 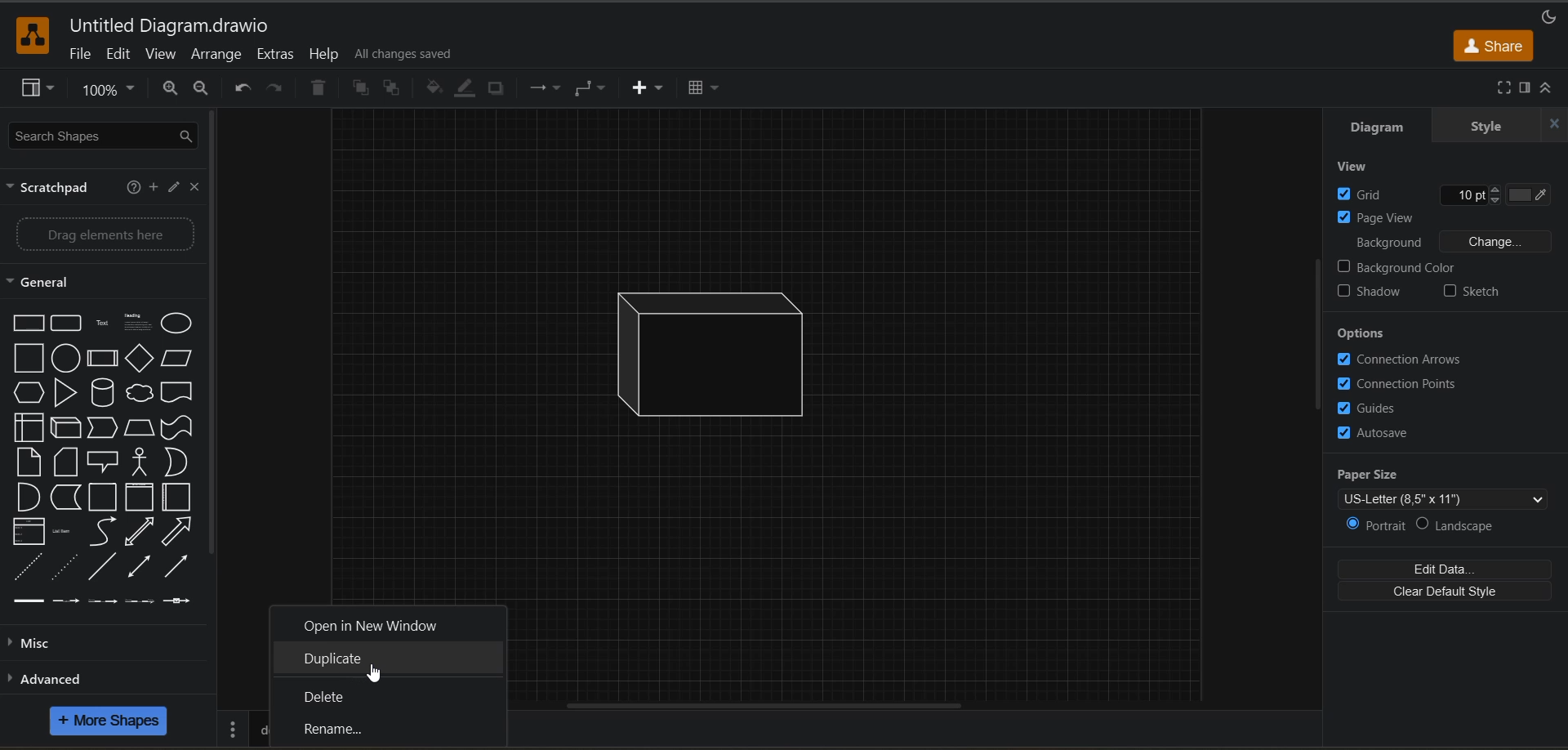 What do you see at coordinates (1530, 195) in the screenshot?
I see `Grid color` at bounding box center [1530, 195].